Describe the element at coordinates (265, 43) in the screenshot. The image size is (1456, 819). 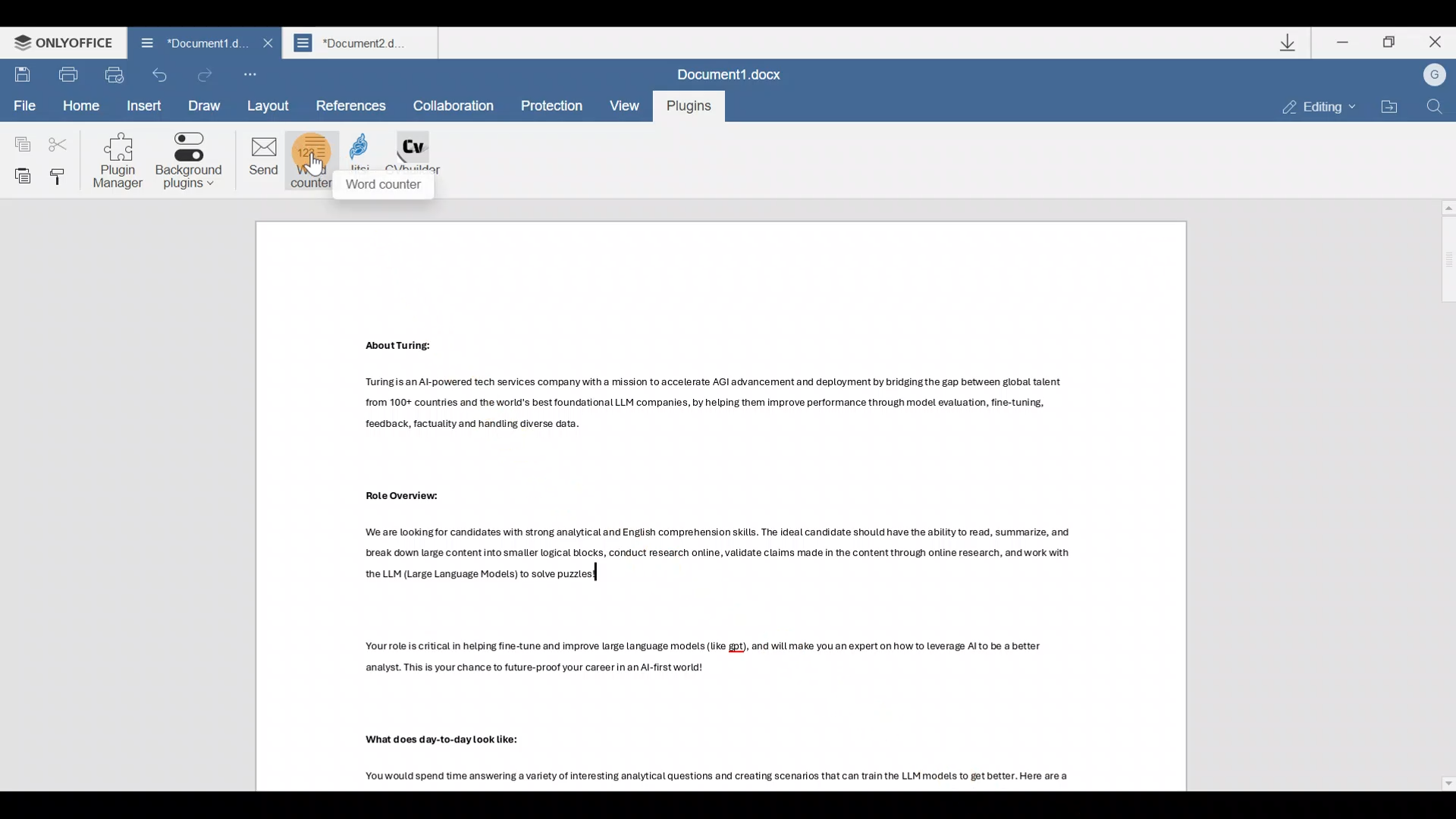
I see `Close` at that location.